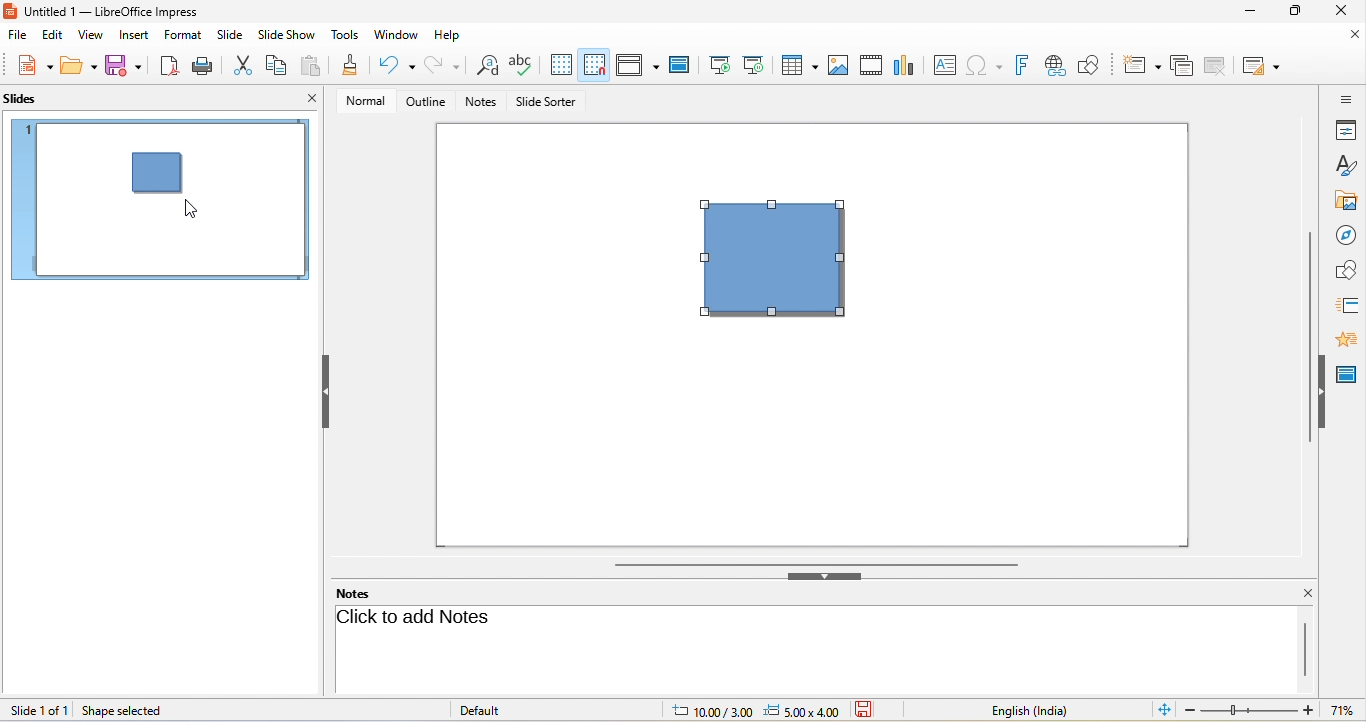 This screenshot has width=1366, height=722. What do you see at coordinates (1345, 164) in the screenshot?
I see `styles` at bounding box center [1345, 164].